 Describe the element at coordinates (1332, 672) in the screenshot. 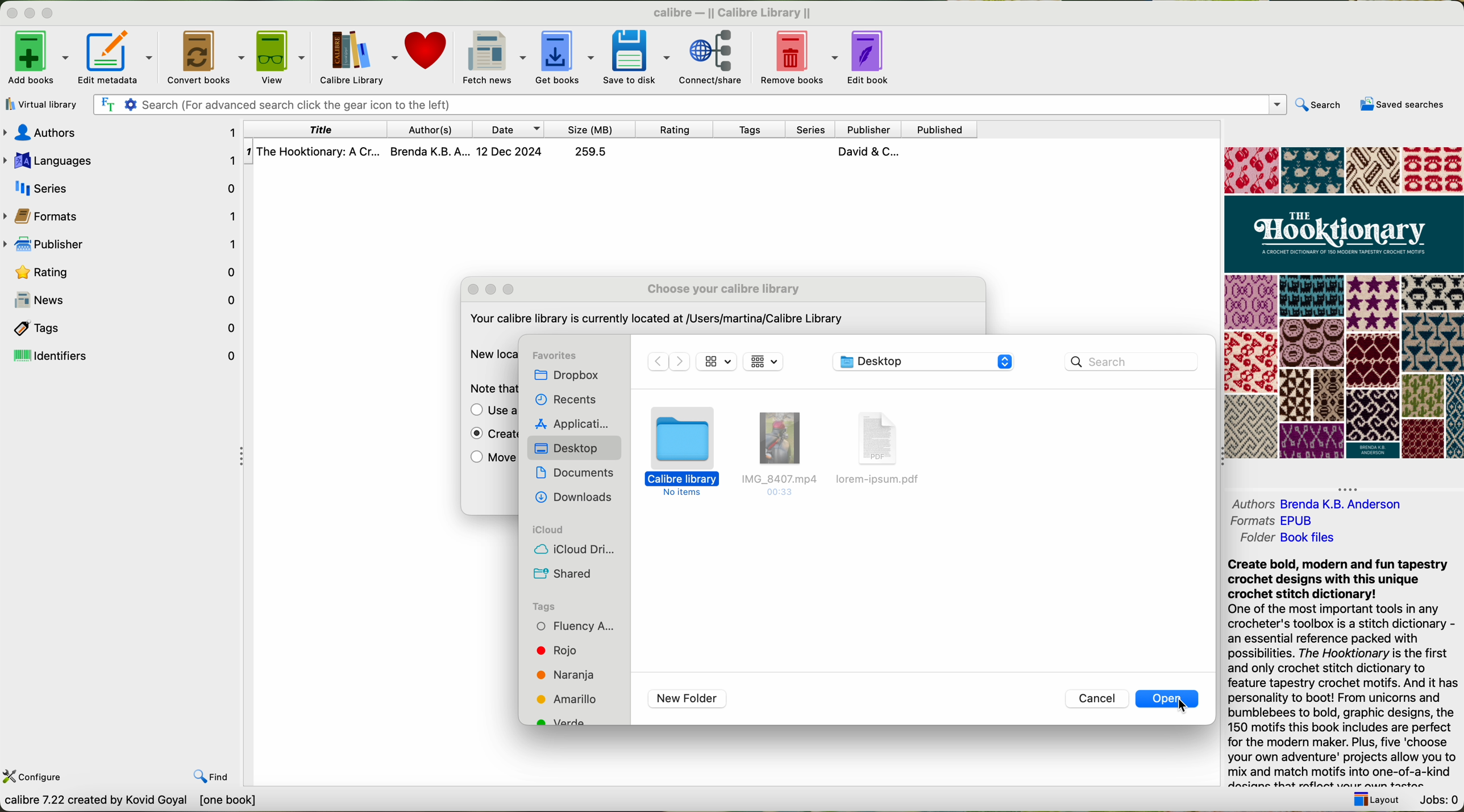

I see `Create bold, modern and fun tapestry
crochet designs with this unique
crochet stitch dictionary!

One of the most important tools in any
crocheter's toolbox is a stitch dictionary -
an essential reference packed with
possibilities. The Hooktionary is the first
and only crochet stitch dictionary to
feature tapestry crochet motifs. And it has
personality to boot! From unicorns and
bumblebees to bold, graphic designs, the
150 motifs this book includes are perfect
for the modern maker. Plus, five ‘choose
your own adventure' projects allow you to
mix and match motifs into one-of-a-kind` at that location.